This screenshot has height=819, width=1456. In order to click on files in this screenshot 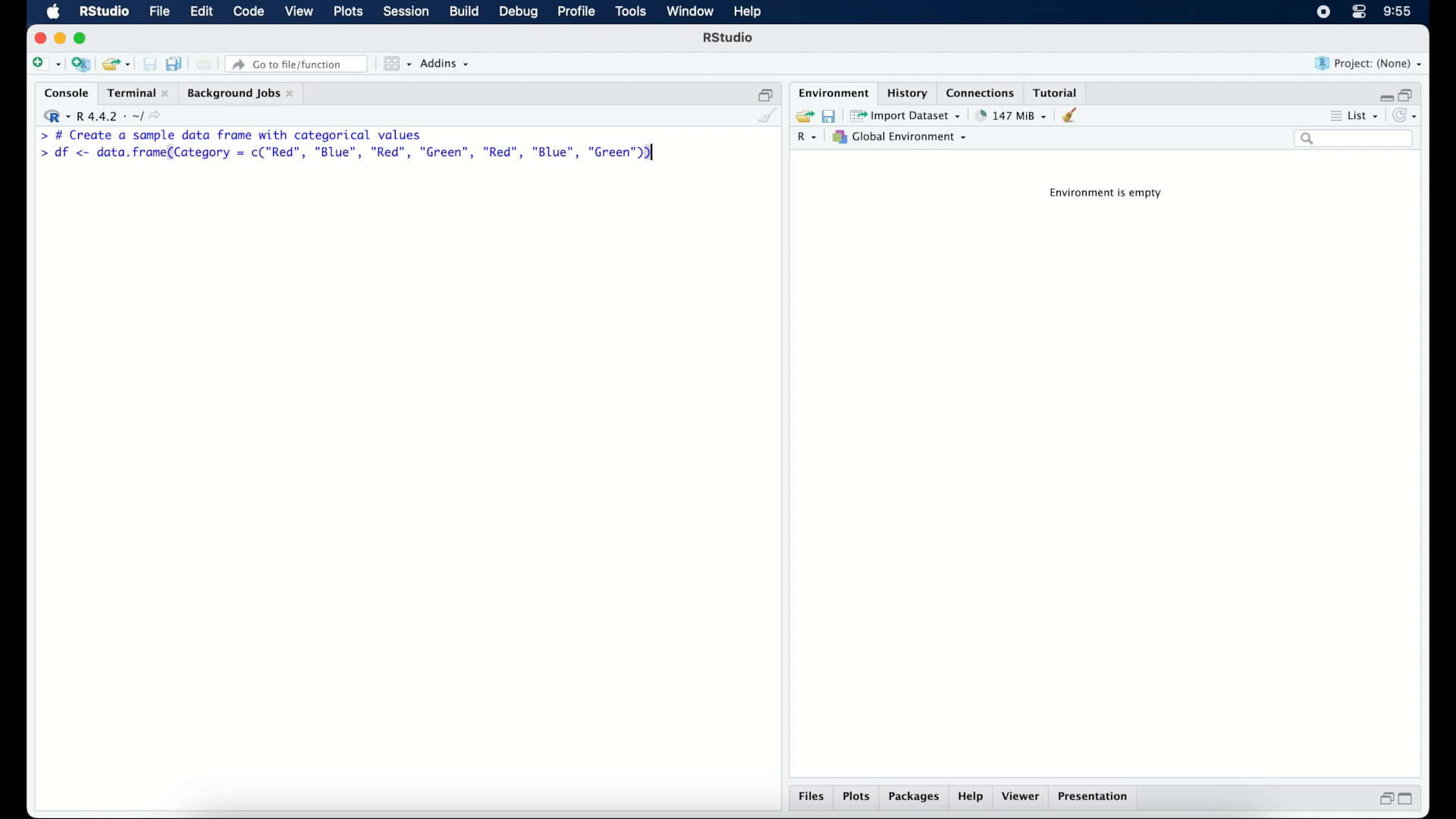, I will do `click(810, 798)`.